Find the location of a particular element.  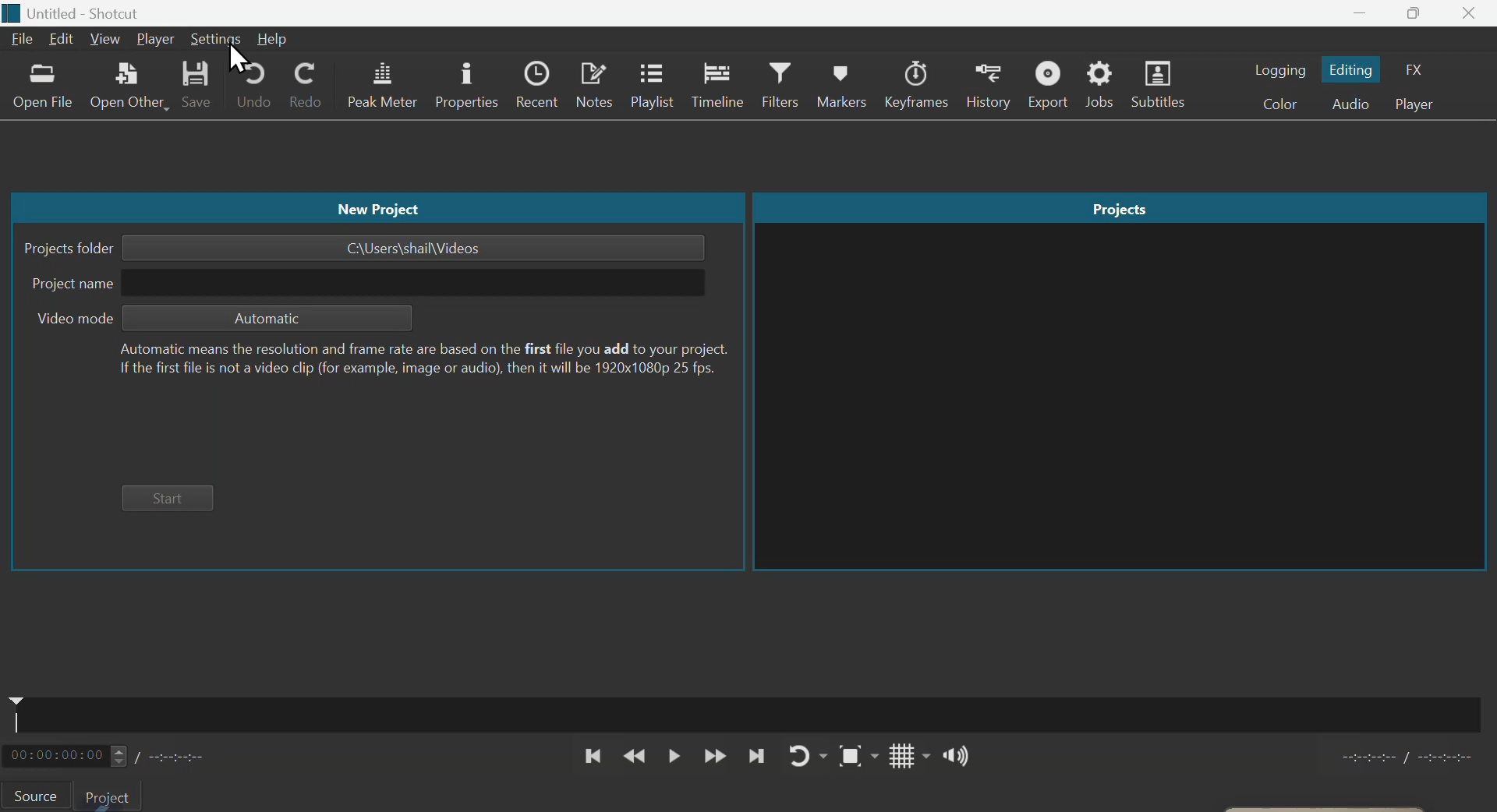

Projects is located at coordinates (1120, 207).